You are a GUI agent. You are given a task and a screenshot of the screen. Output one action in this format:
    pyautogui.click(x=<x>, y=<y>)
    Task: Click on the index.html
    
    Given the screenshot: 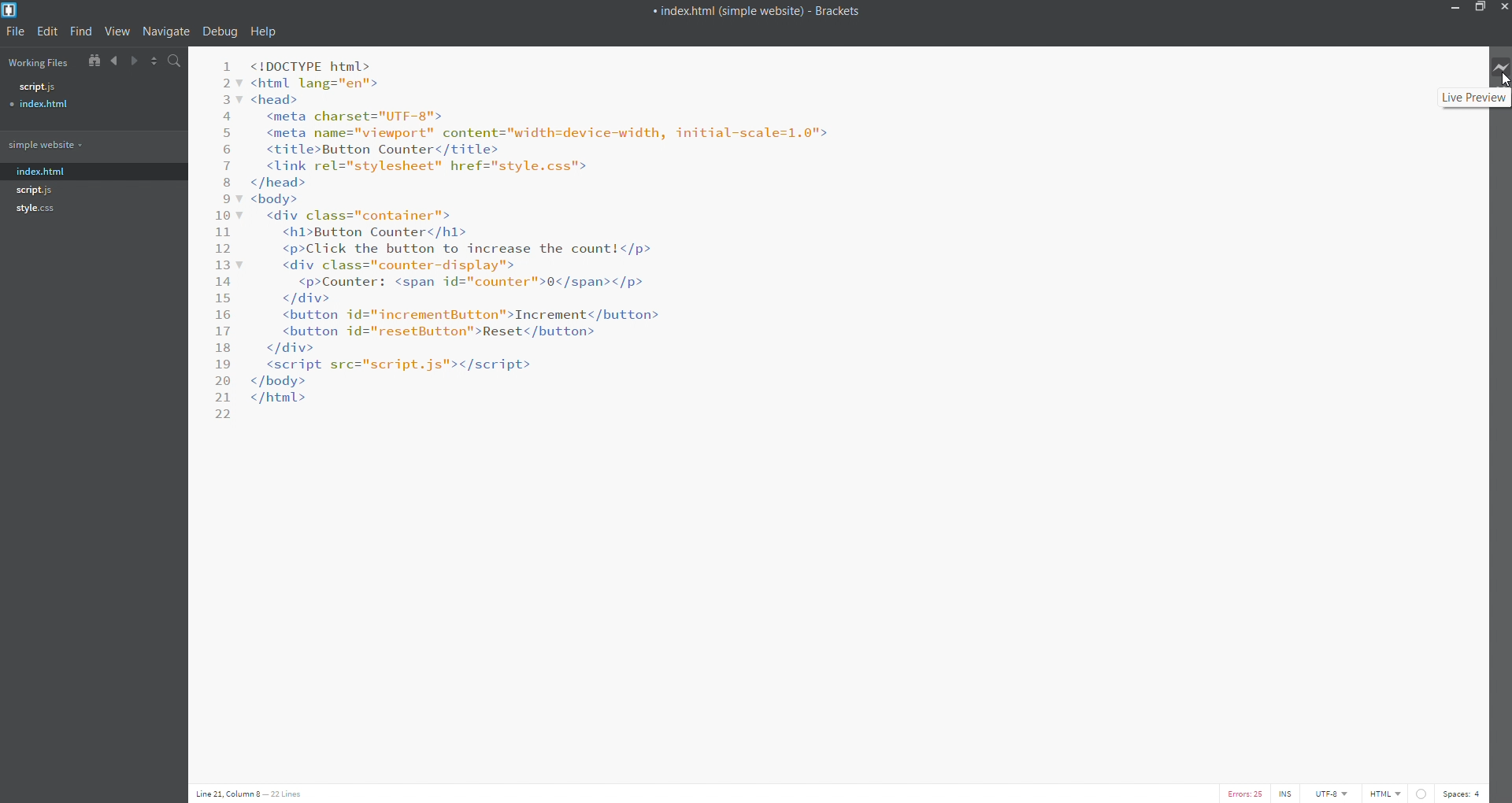 What is the action you would take?
    pyautogui.click(x=44, y=168)
    